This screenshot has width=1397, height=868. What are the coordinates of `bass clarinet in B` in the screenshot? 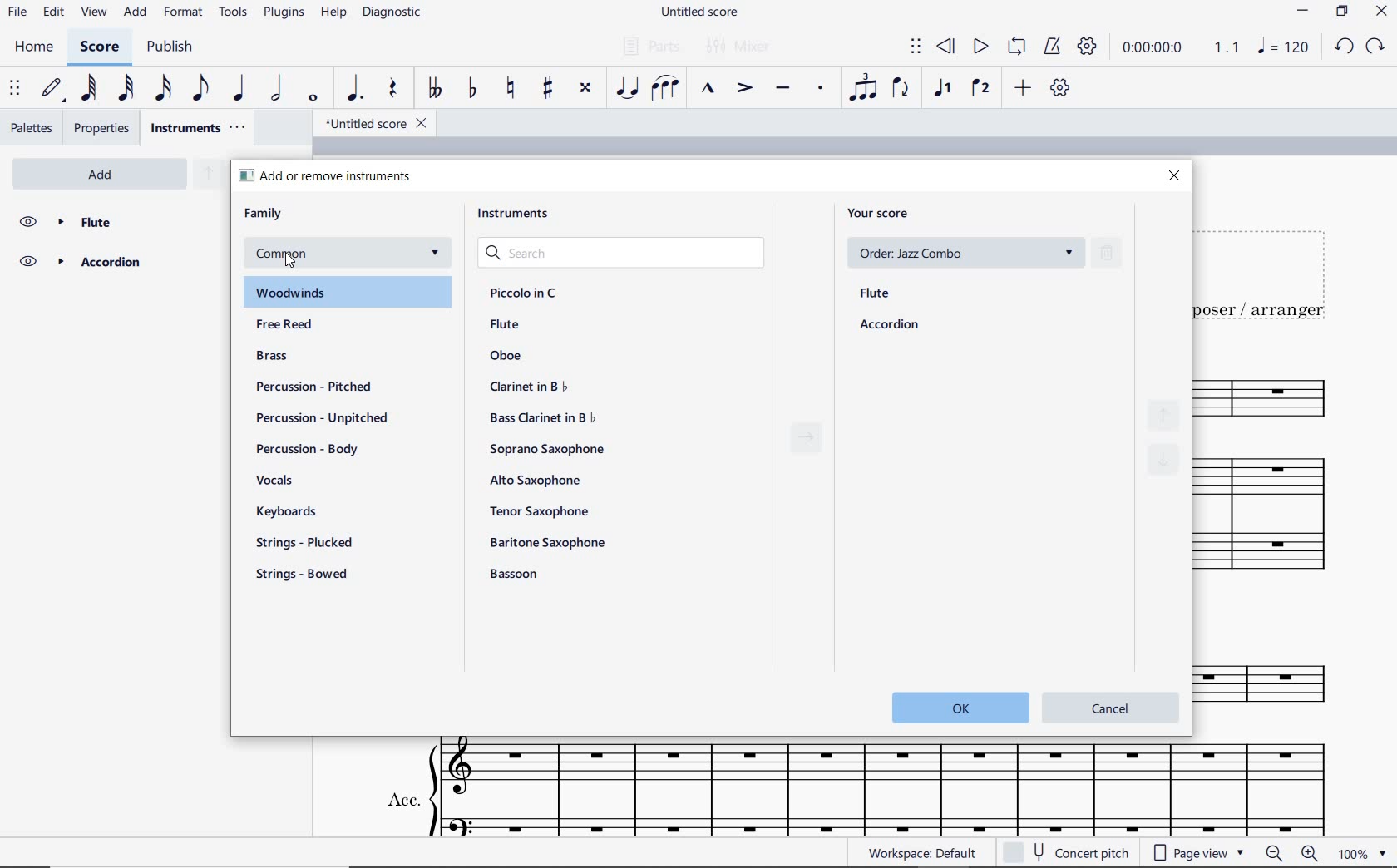 It's located at (541, 418).